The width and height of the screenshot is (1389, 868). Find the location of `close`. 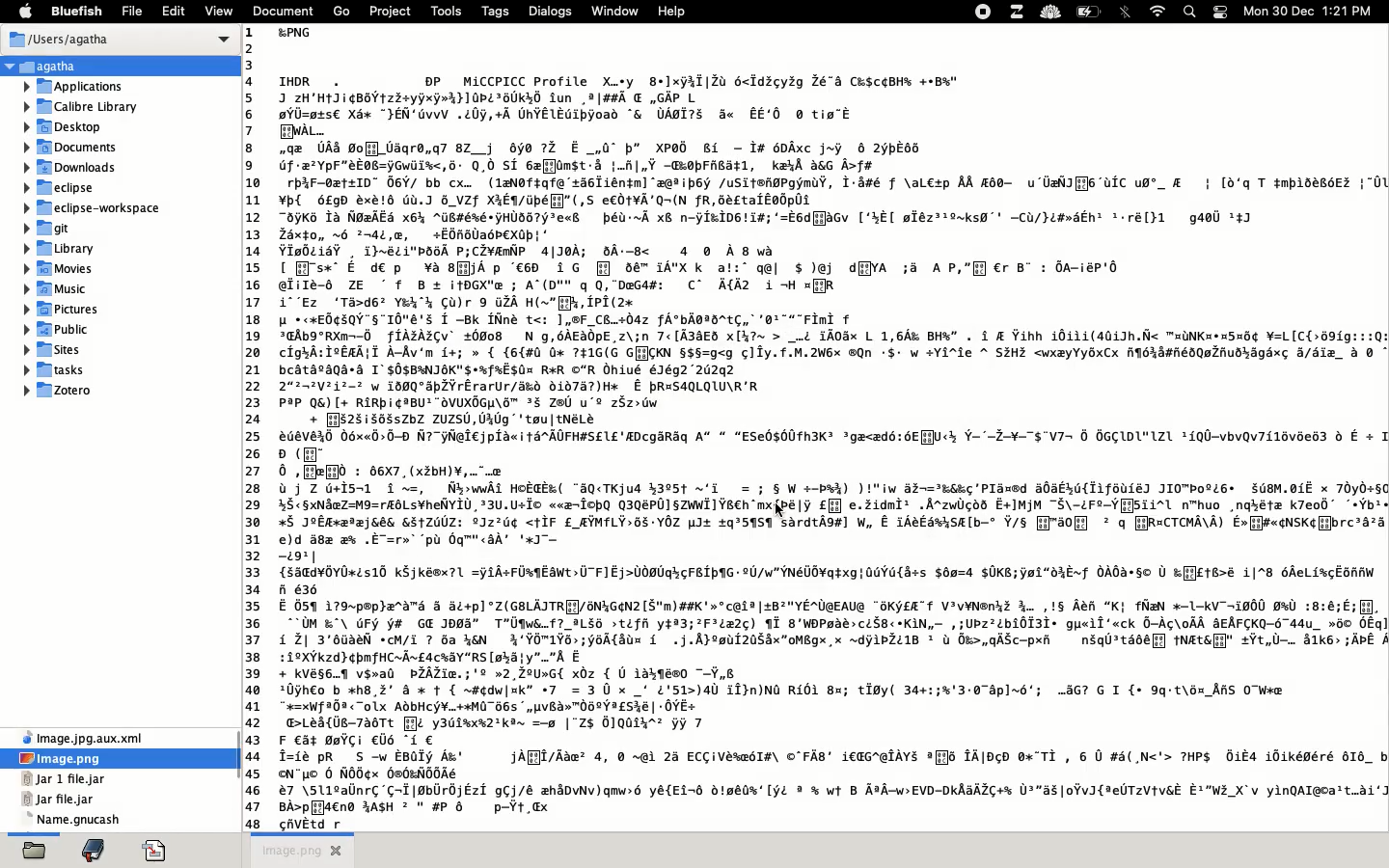

close is located at coordinates (333, 851).